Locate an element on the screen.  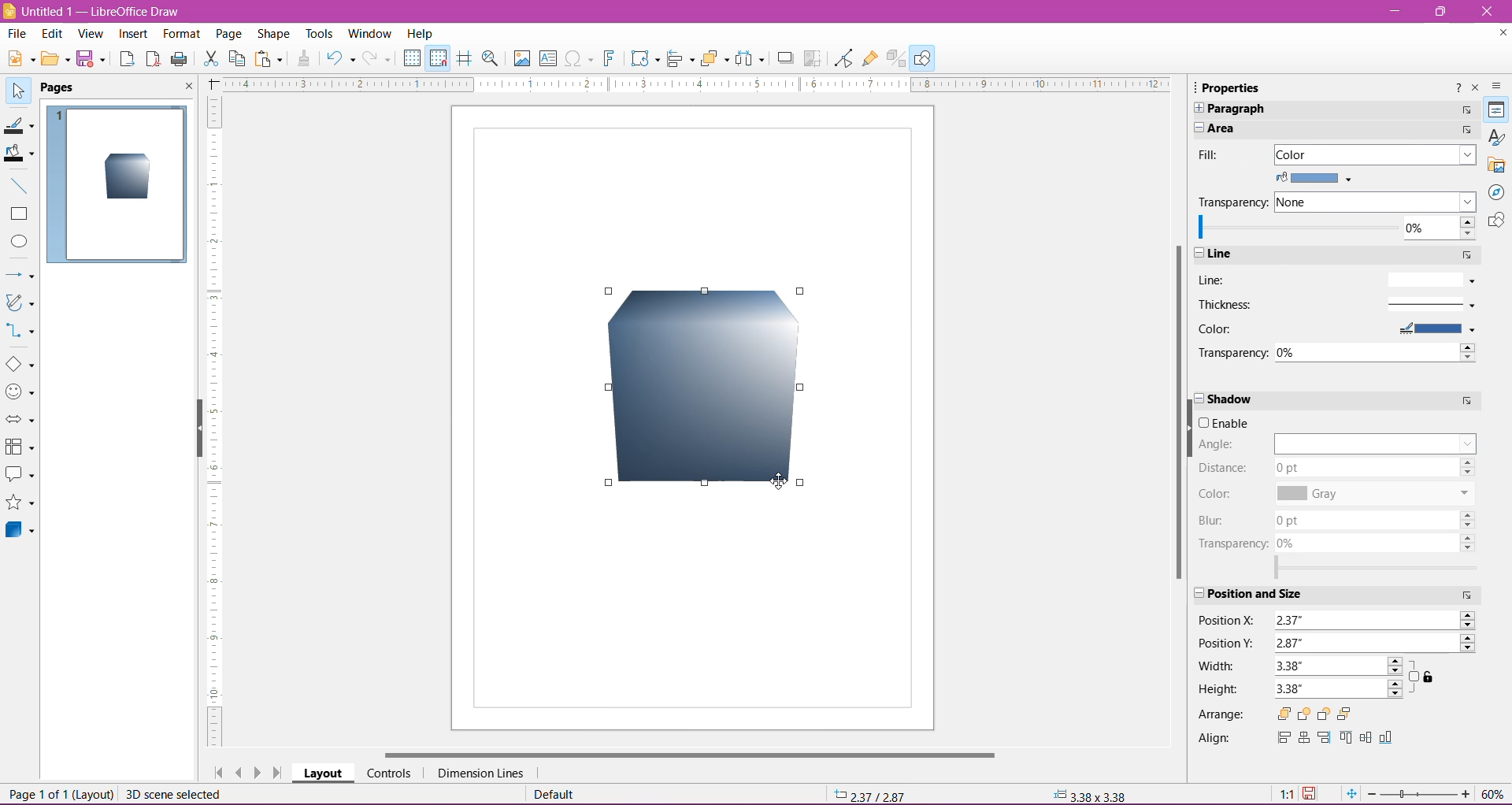
Position Y is located at coordinates (1228, 644).